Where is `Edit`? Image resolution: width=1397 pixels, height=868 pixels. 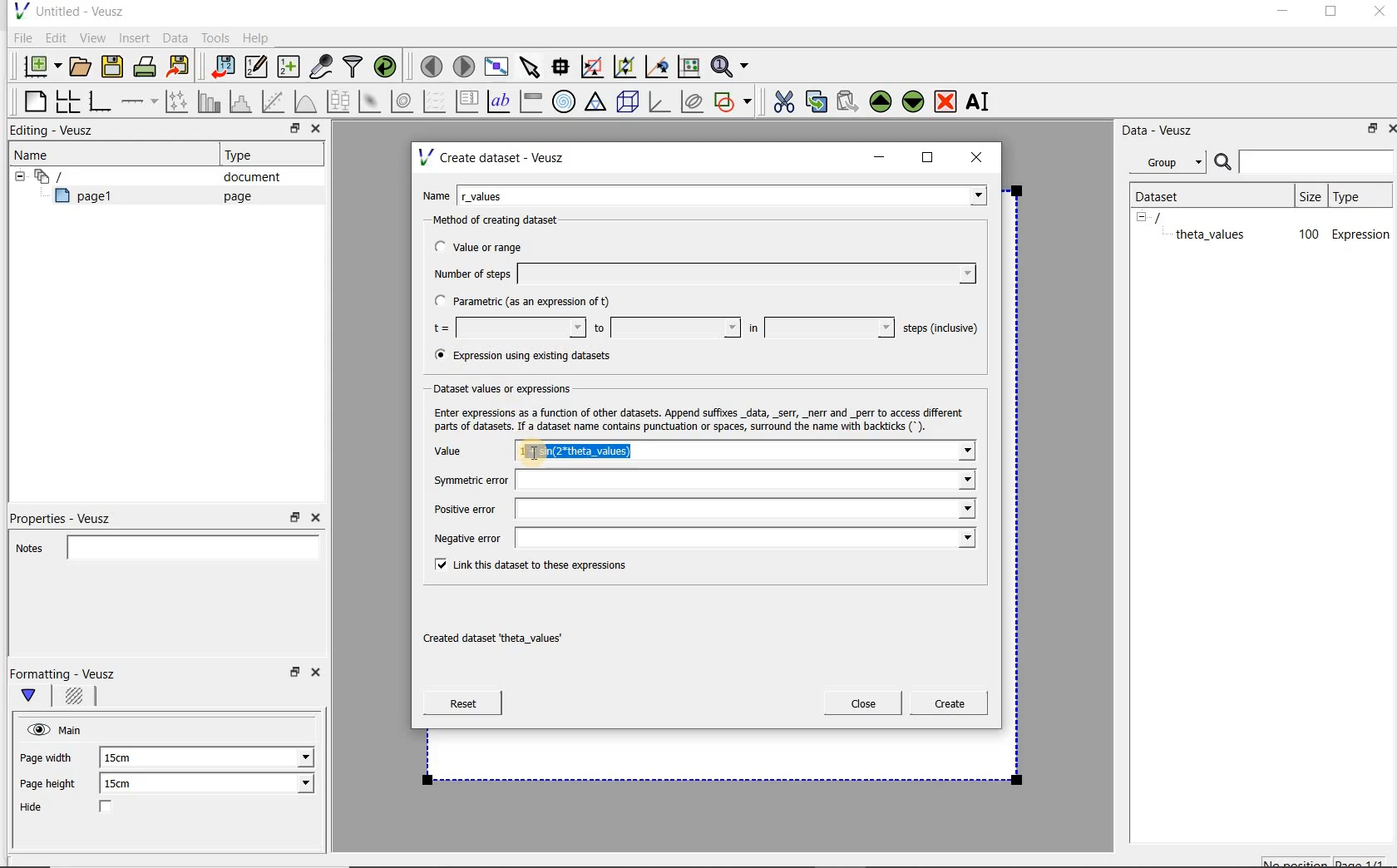 Edit is located at coordinates (55, 37).